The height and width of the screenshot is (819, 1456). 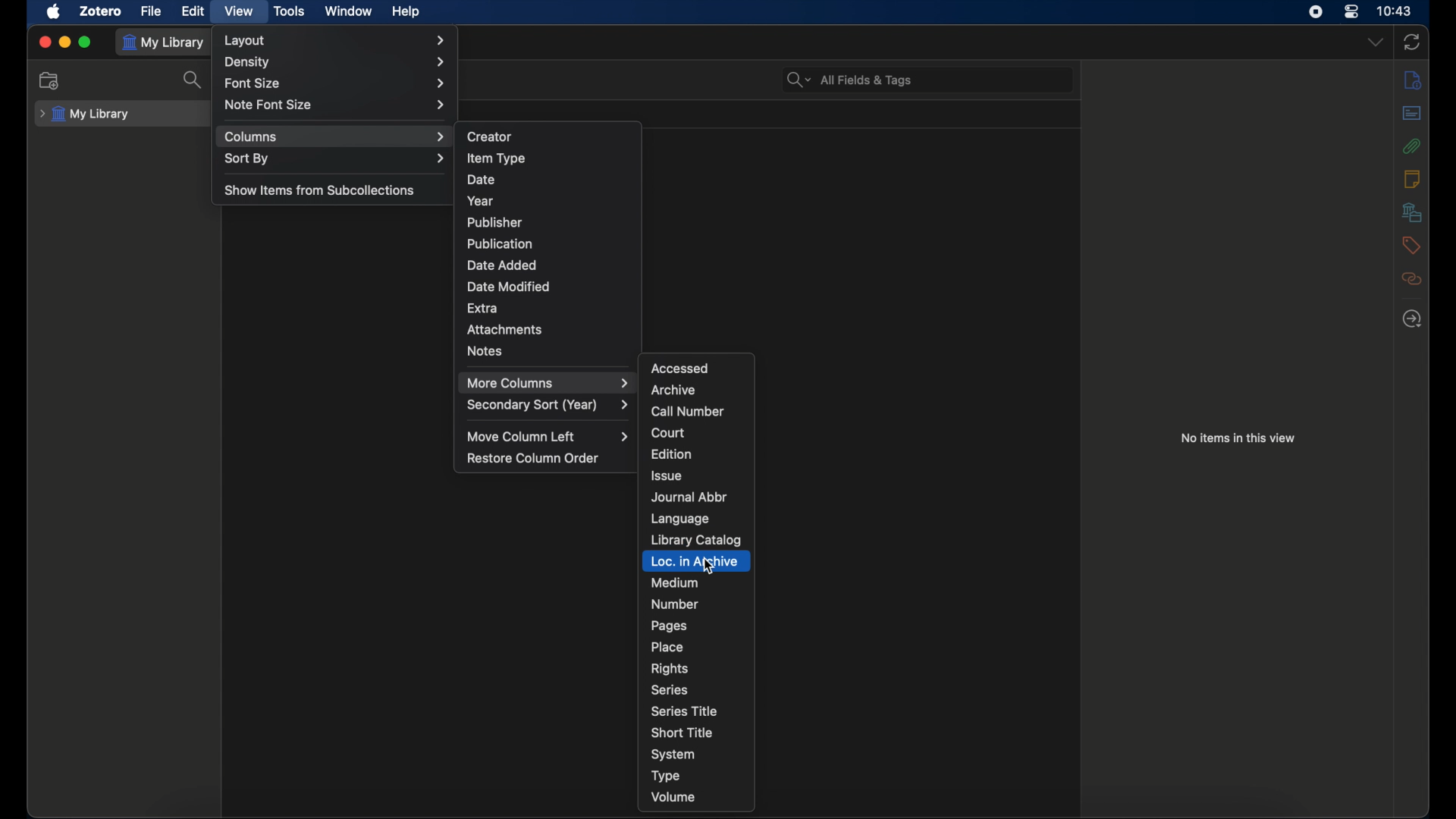 What do you see at coordinates (508, 286) in the screenshot?
I see `date modified` at bounding box center [508, 286].